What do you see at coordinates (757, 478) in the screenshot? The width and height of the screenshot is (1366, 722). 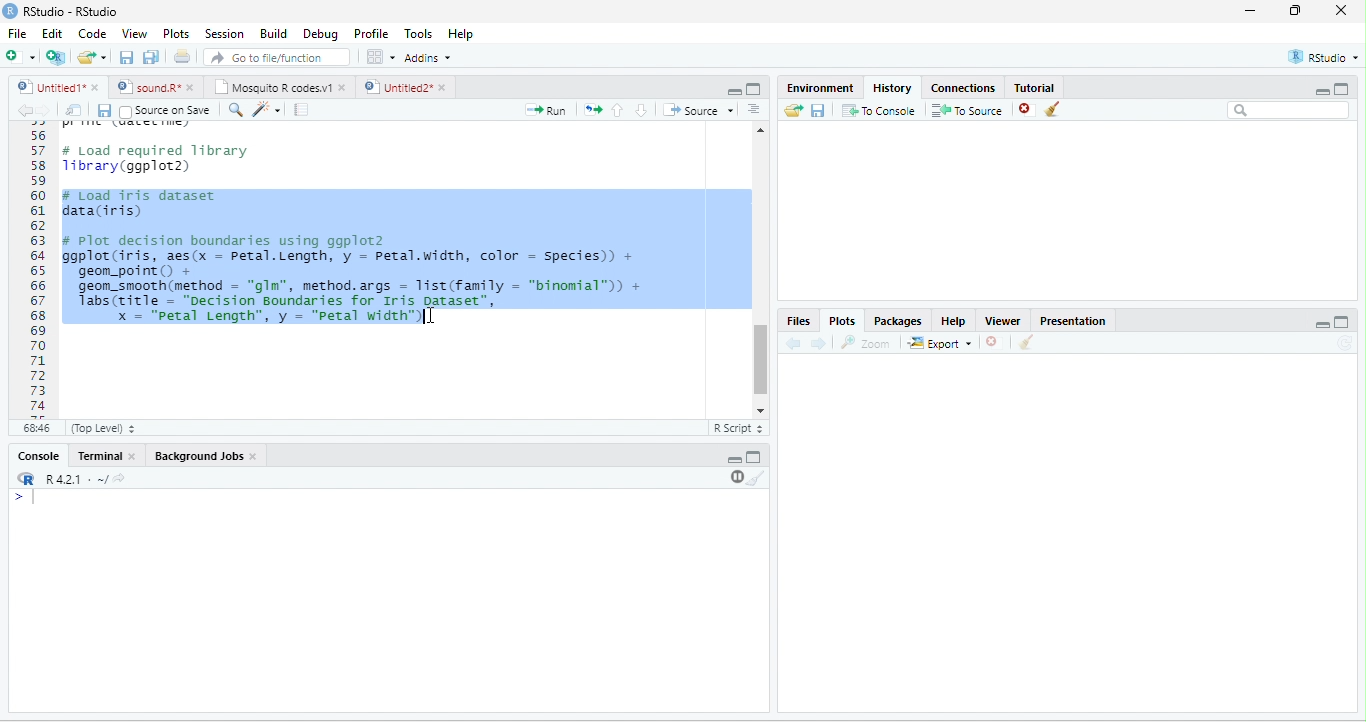 I see `clear` at bounding box center [757, 478].